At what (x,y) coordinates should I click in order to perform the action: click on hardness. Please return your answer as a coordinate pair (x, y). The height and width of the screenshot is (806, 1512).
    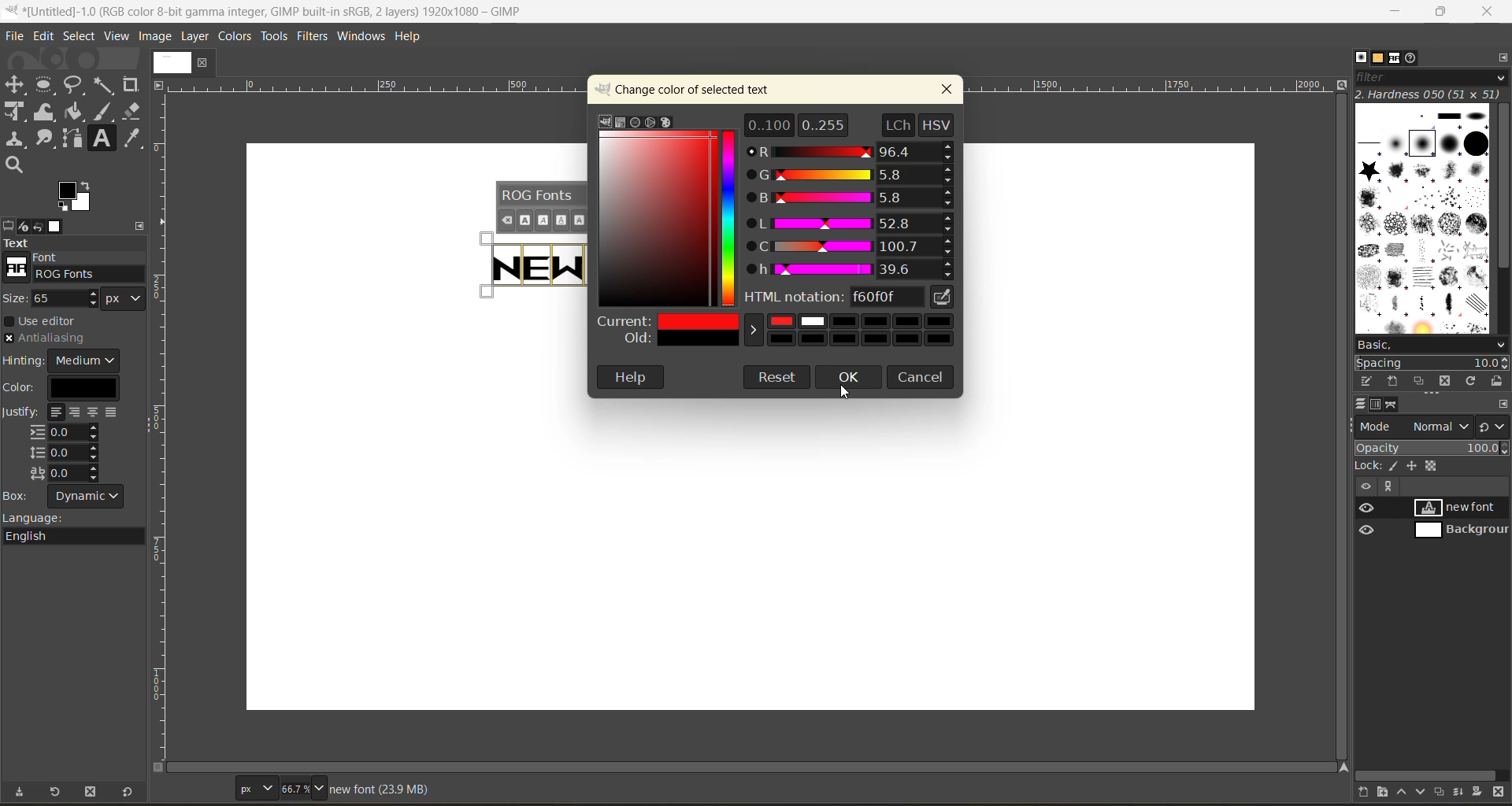
    Looking at the image, I should click on (1431, 94).